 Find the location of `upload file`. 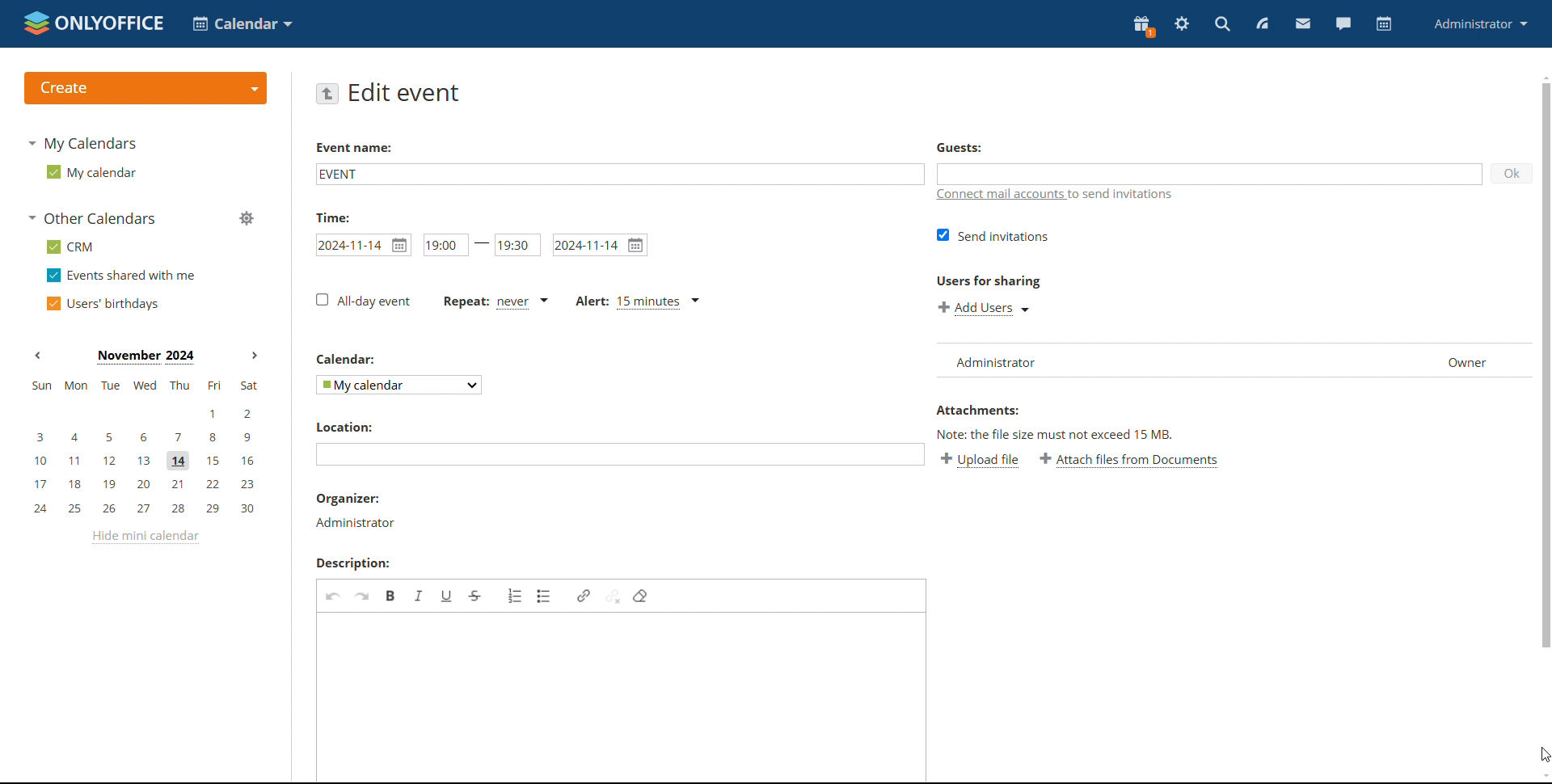

upload file is located at coordinates (982, 461).